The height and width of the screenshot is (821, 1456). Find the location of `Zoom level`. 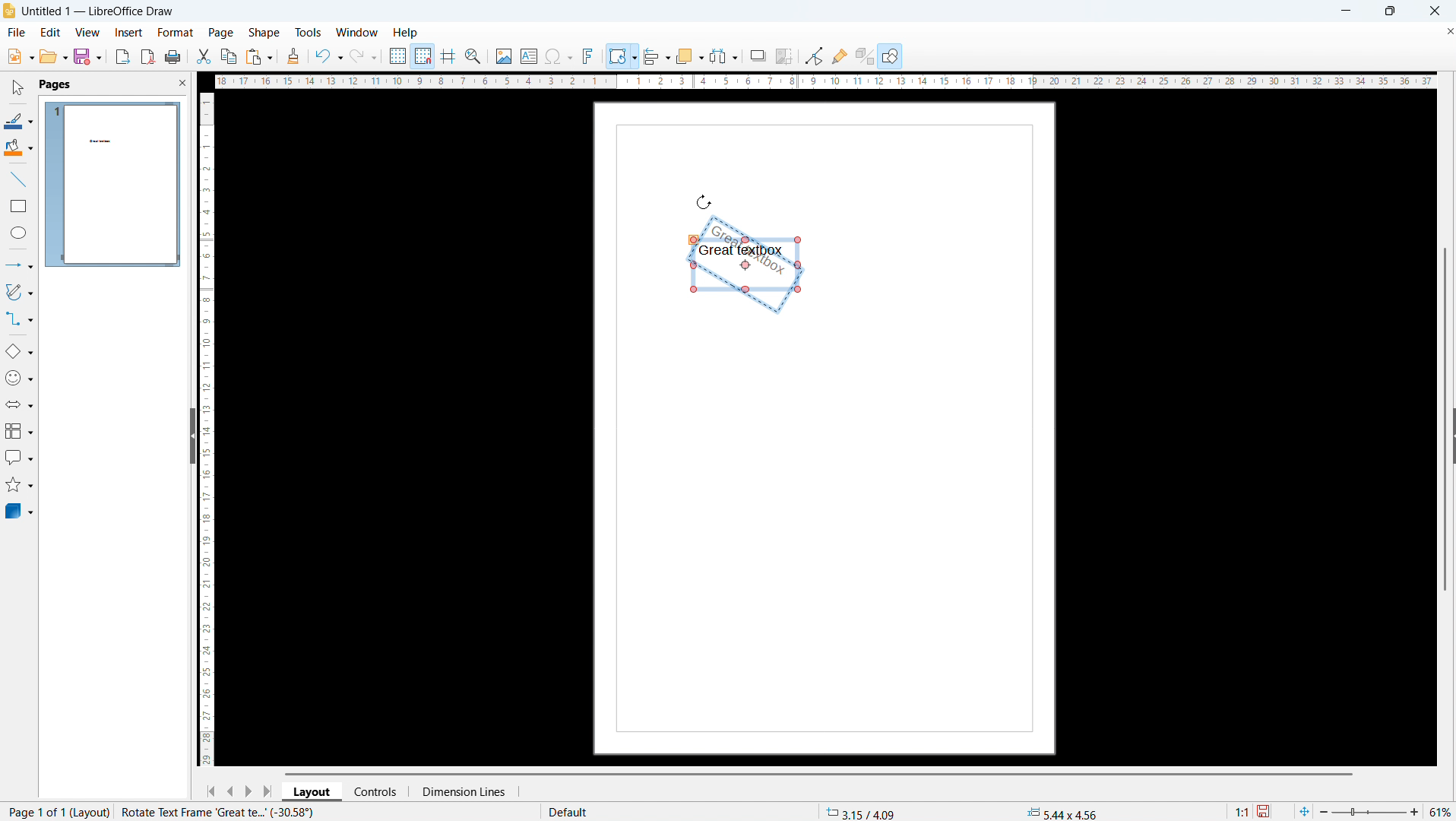

Zoom level is located at coordinates (1442, 813).